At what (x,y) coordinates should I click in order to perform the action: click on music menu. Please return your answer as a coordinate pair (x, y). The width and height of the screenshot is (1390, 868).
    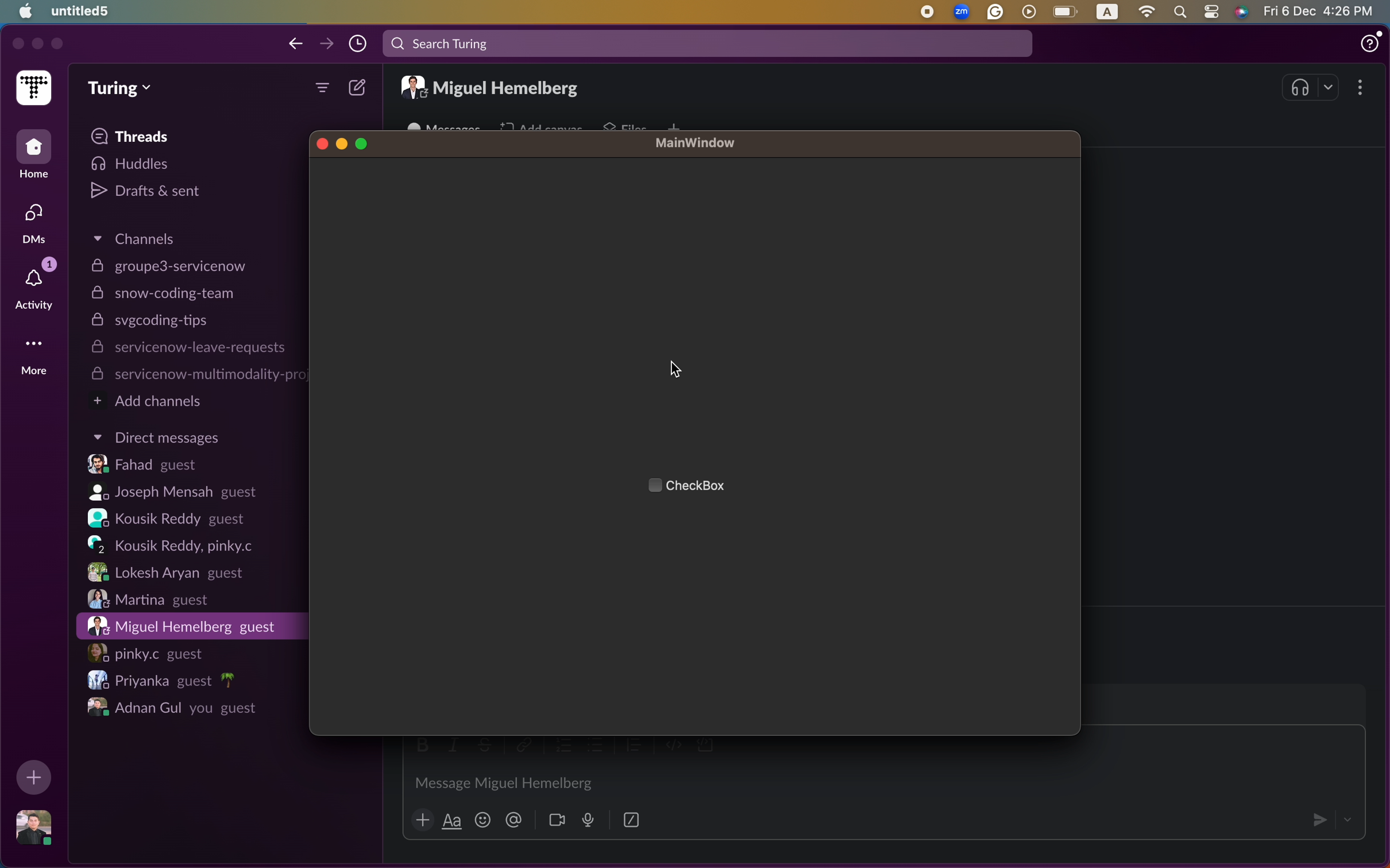
    Looking at the image, I should click on (1312, 87).